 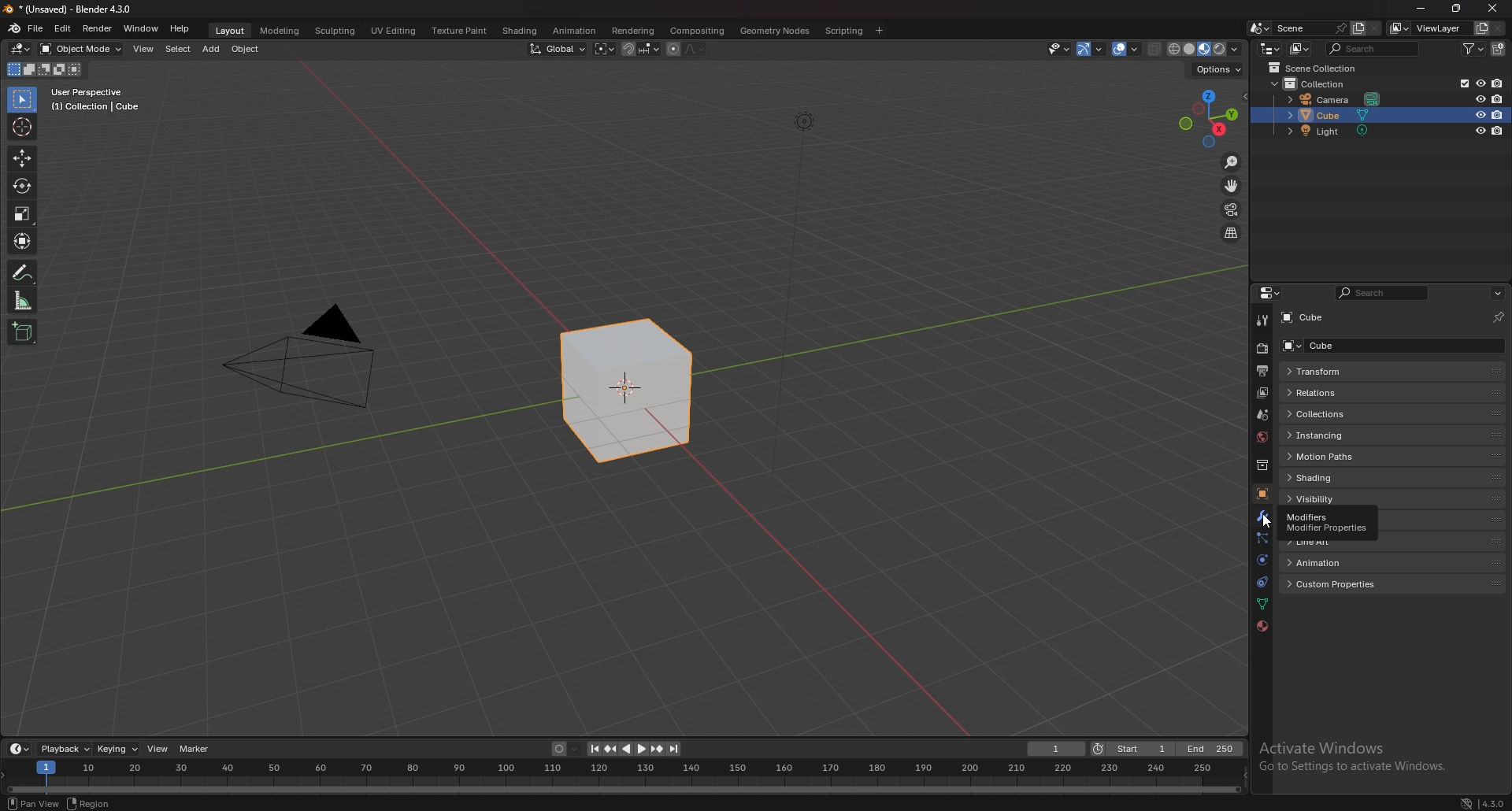 What do you see at coordinates (1499, 317) in the screenshot?
I see `toggle pin id` at bounding box center [1499, 317].